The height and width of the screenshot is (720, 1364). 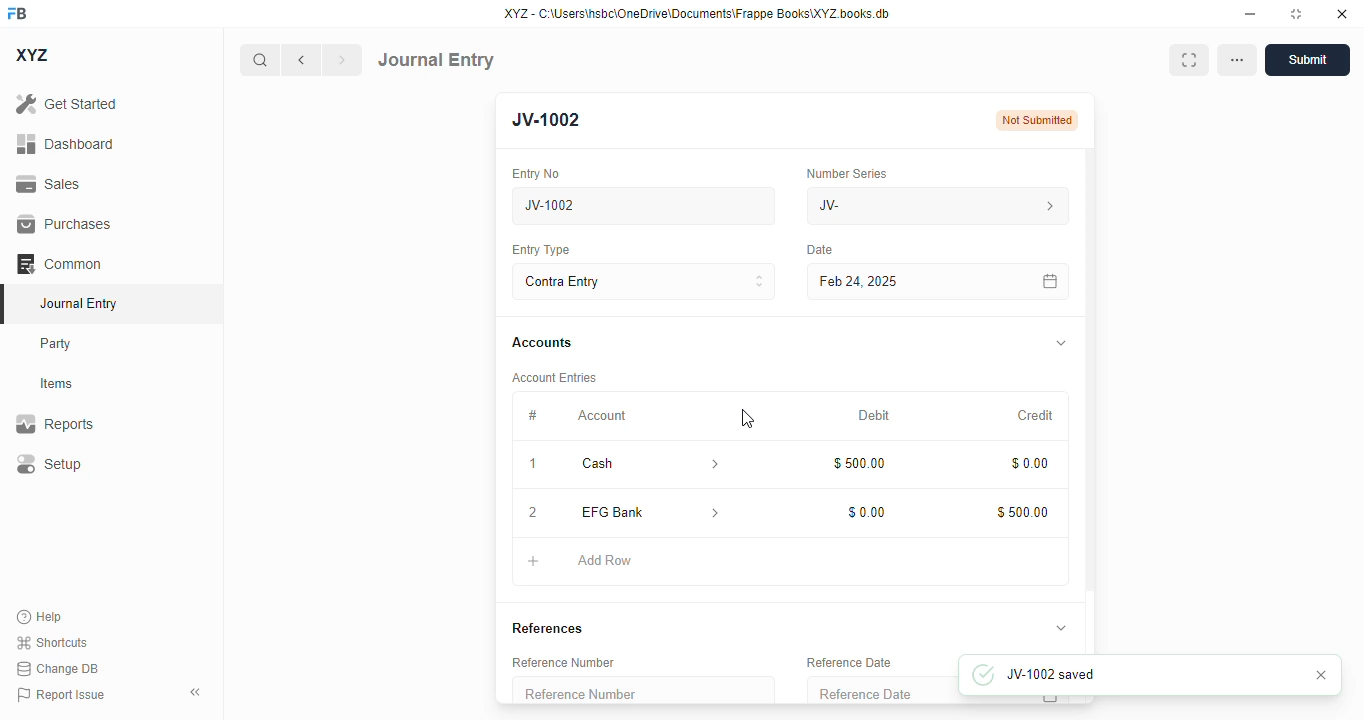 I want to click on submit, so click(x=1308, y=60).